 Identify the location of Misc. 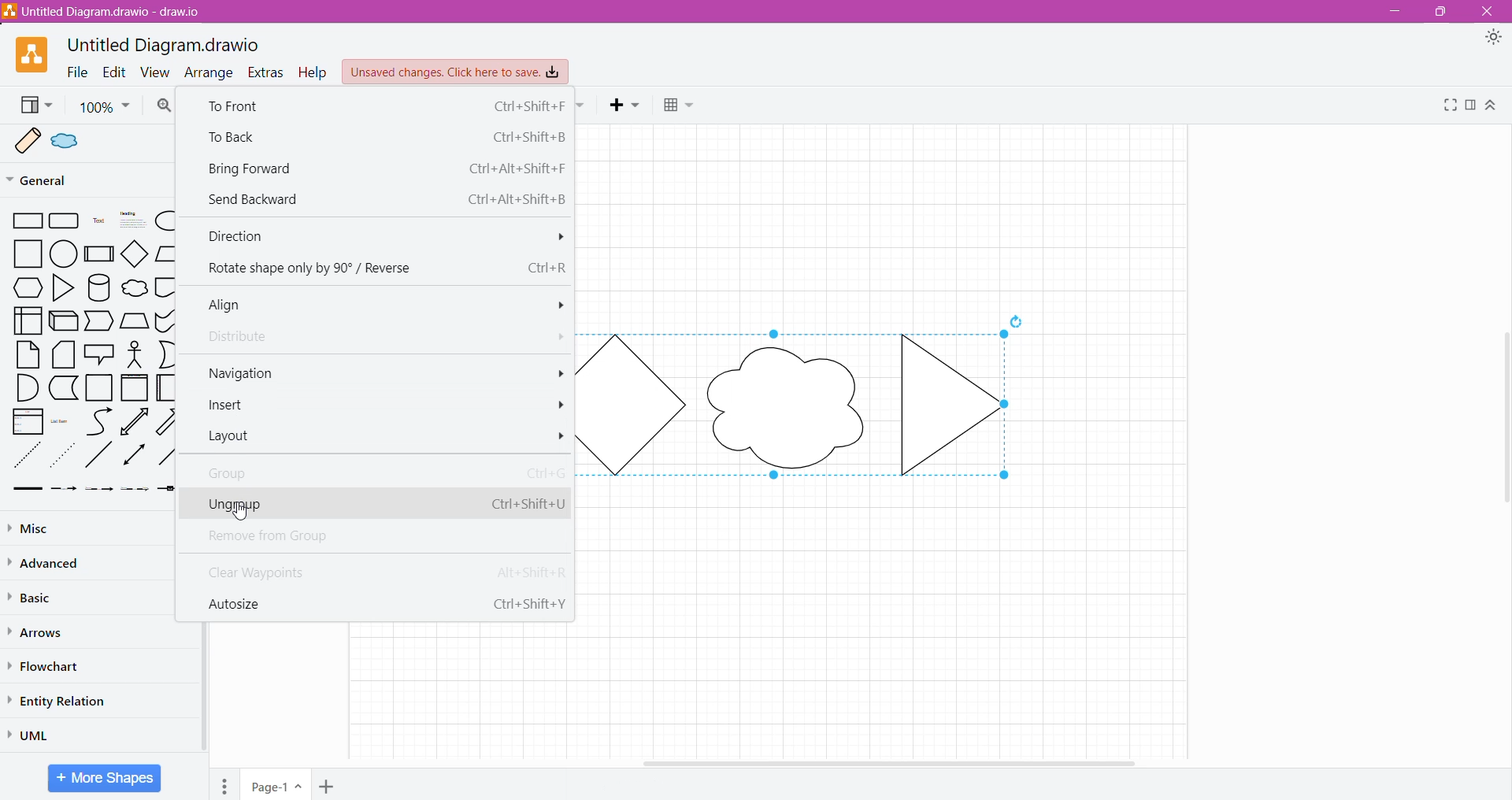
(41, 528).